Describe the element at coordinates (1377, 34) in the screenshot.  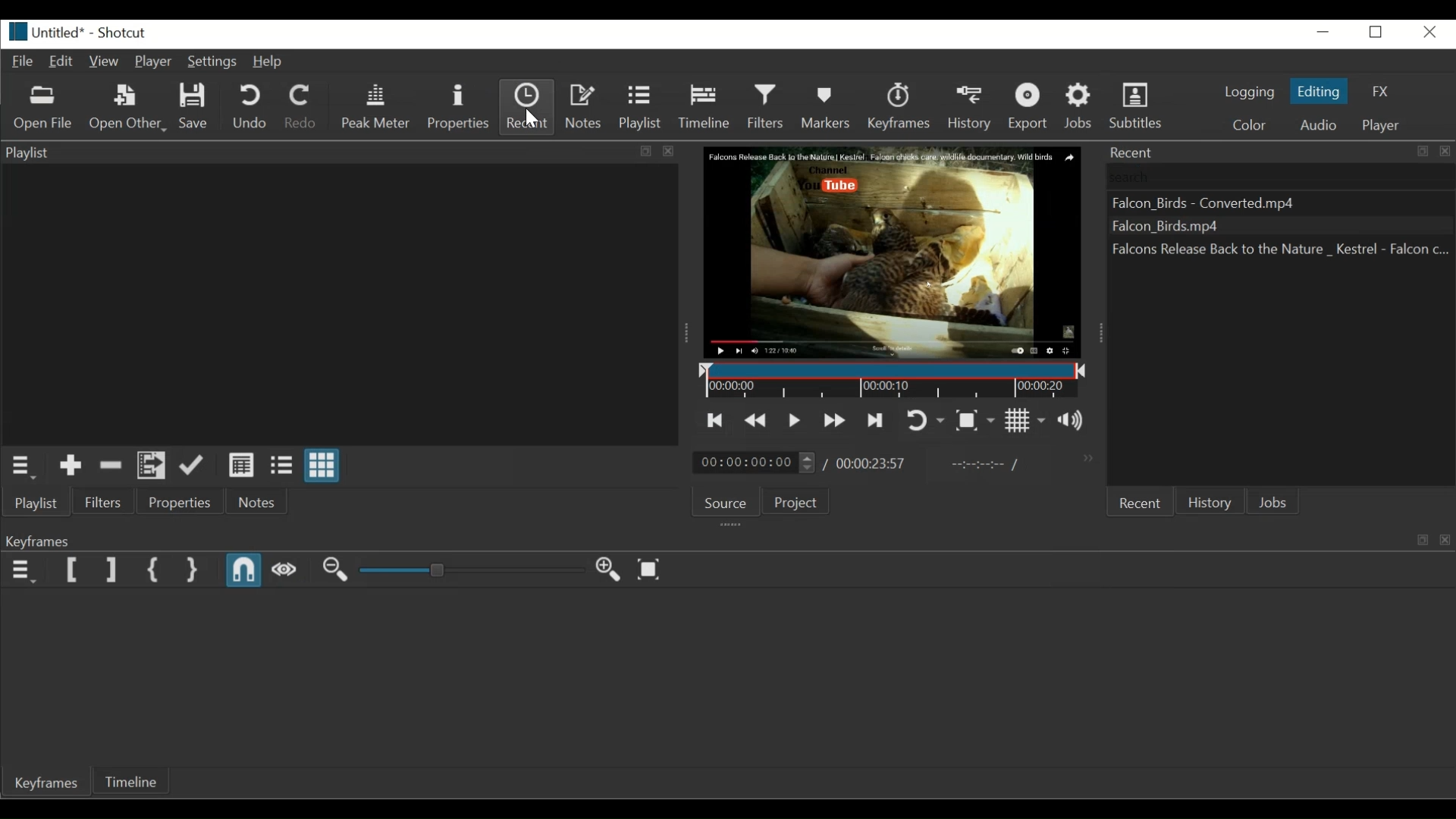
I see `Restore` at that location.